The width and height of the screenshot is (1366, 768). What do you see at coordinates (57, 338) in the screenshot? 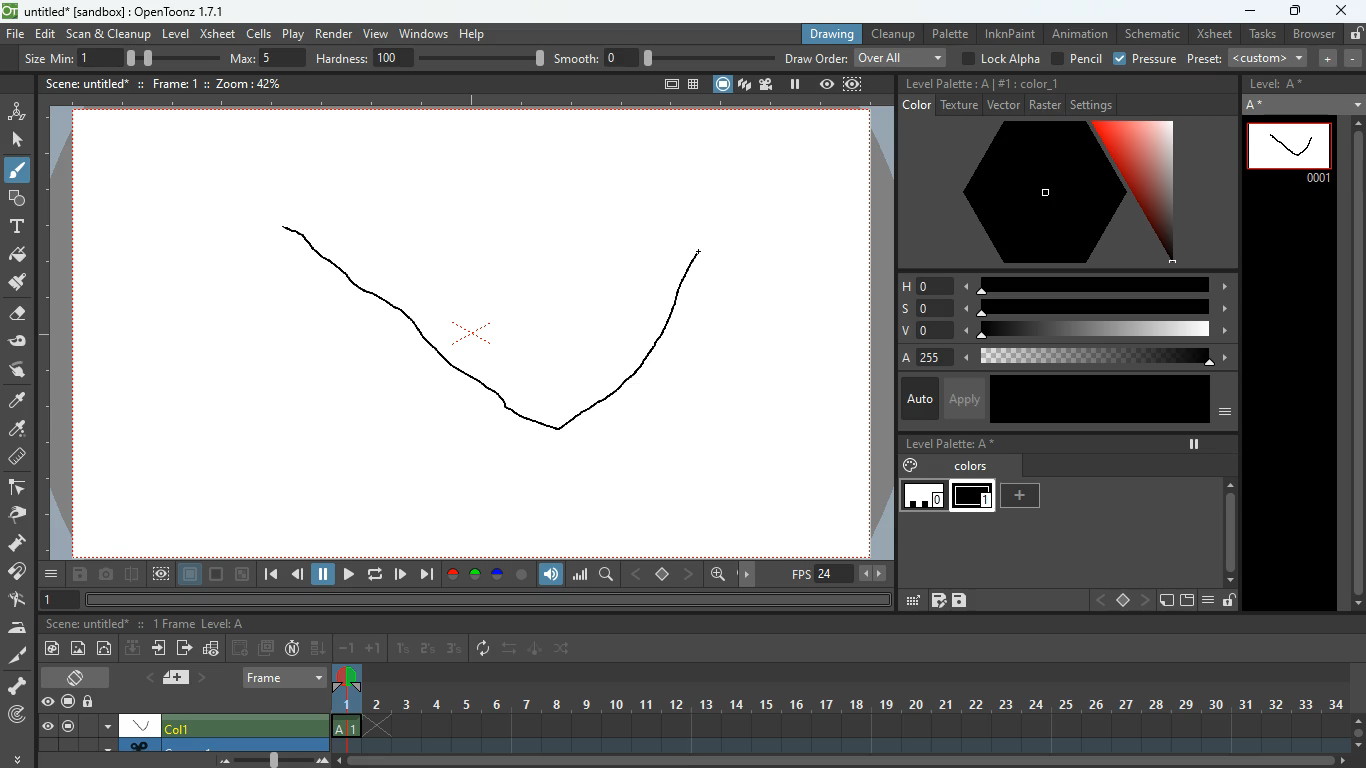
I see `vertical scale` at bounding box center [57, 338].